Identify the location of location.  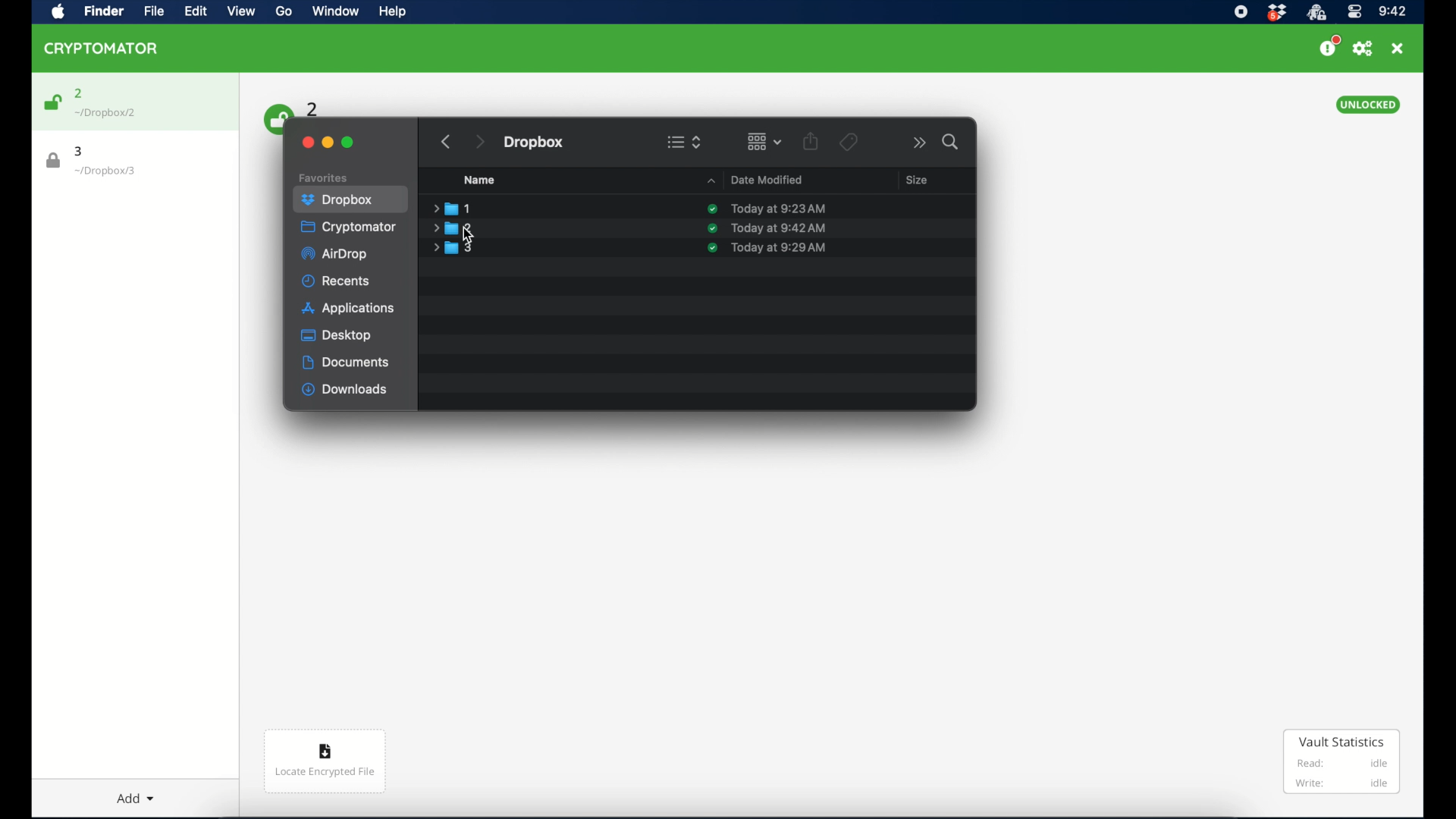
(106, 113).